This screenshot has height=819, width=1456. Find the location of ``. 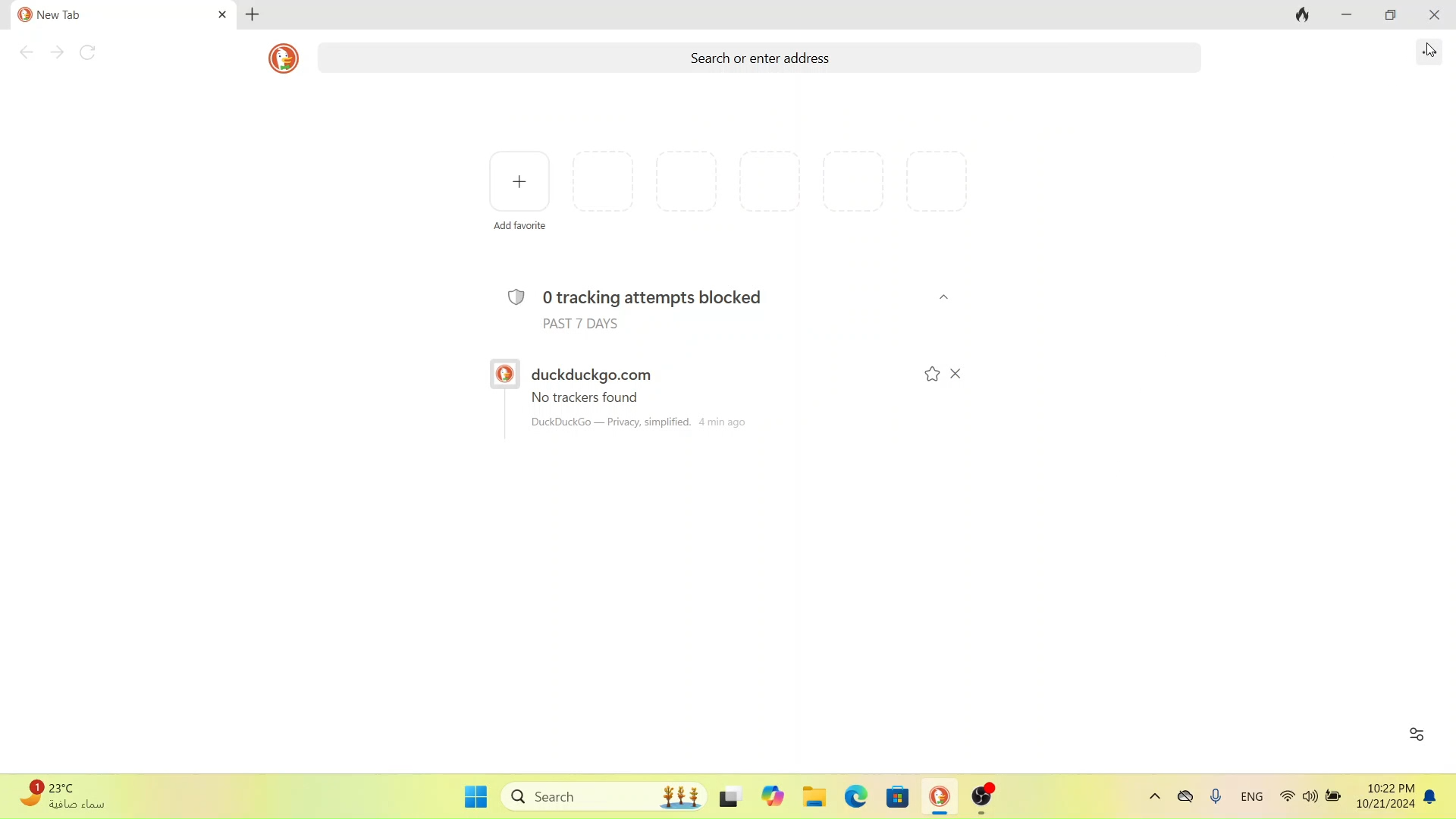

 is located at coordinates (730, 794).